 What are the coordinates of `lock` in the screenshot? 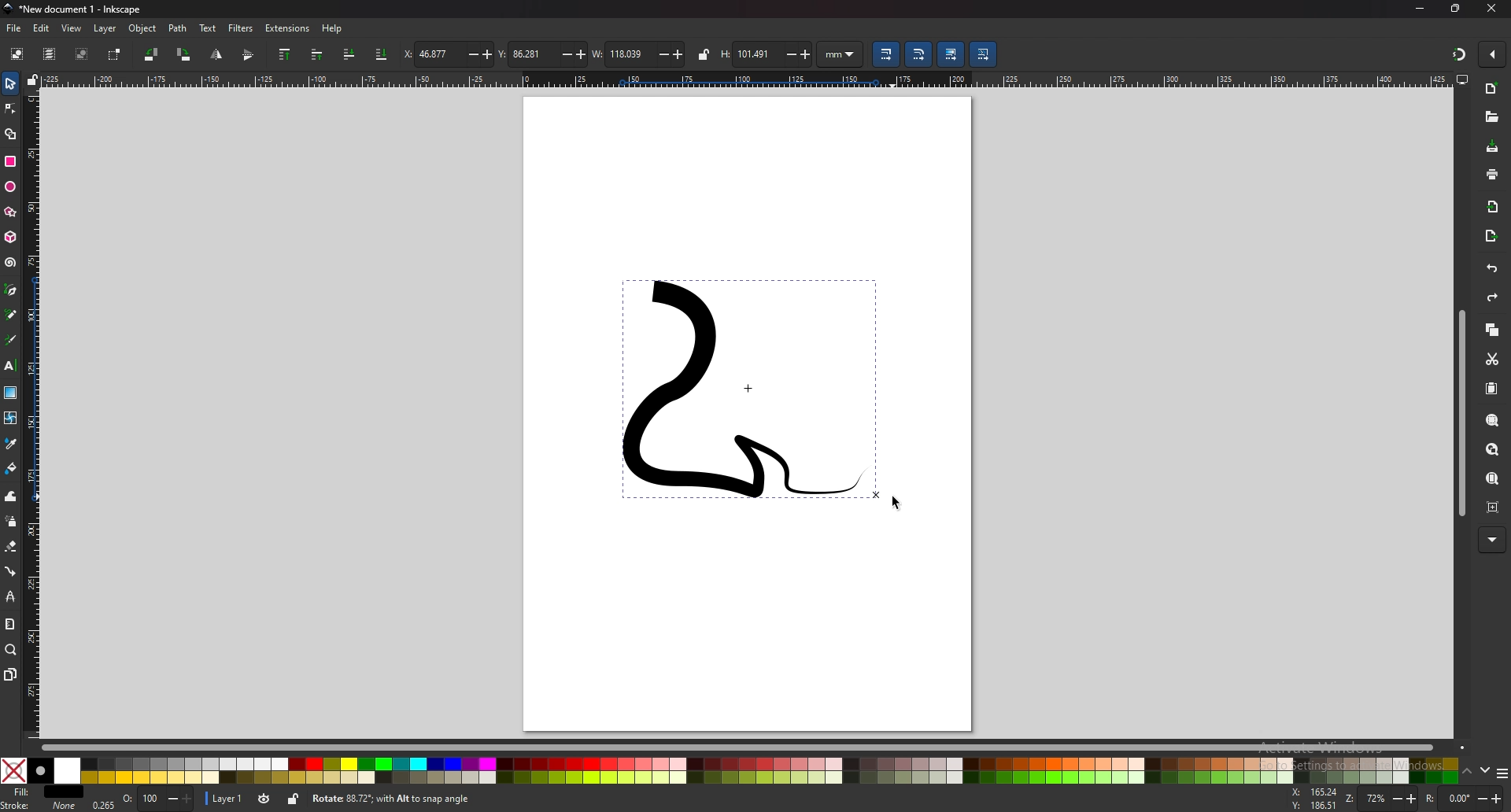 It's located at (703, 54).